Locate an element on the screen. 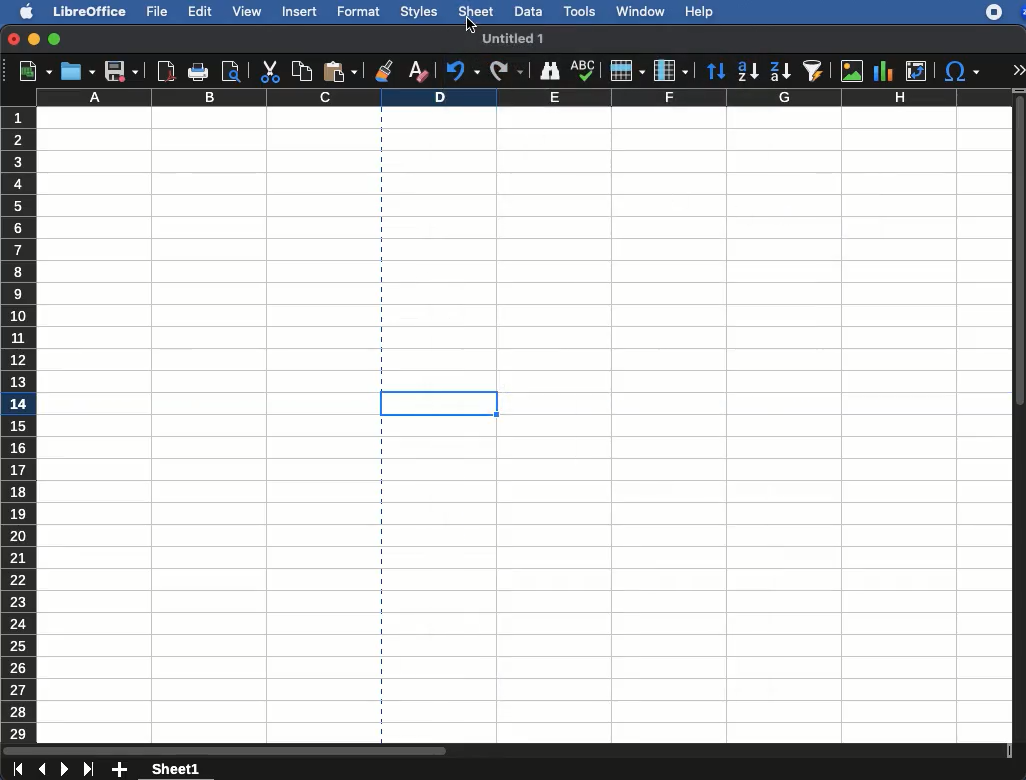  sort is located at coordinates (717, 70).